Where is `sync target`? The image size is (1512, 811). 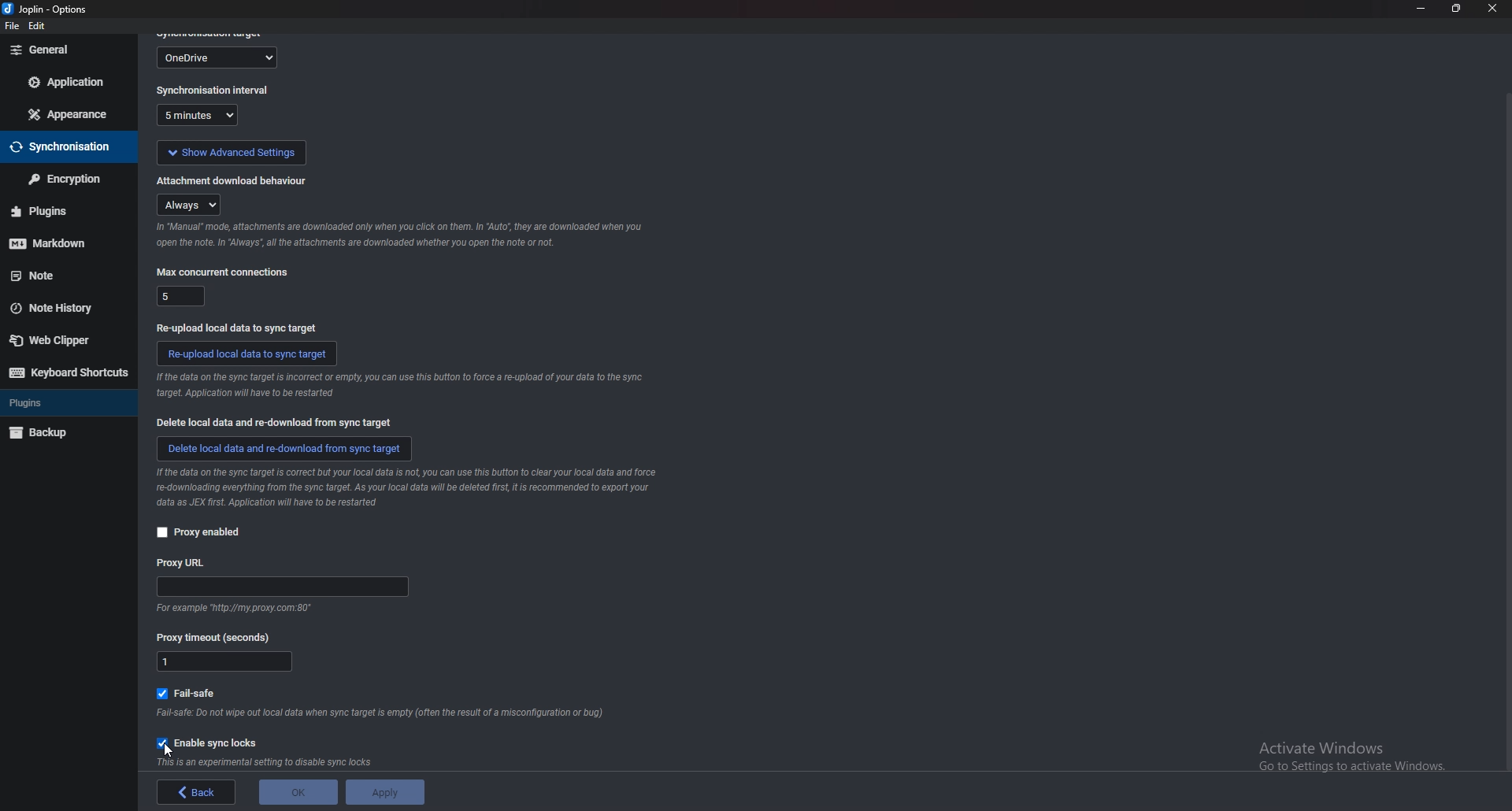
sync target is located at coordinates (219, 56).